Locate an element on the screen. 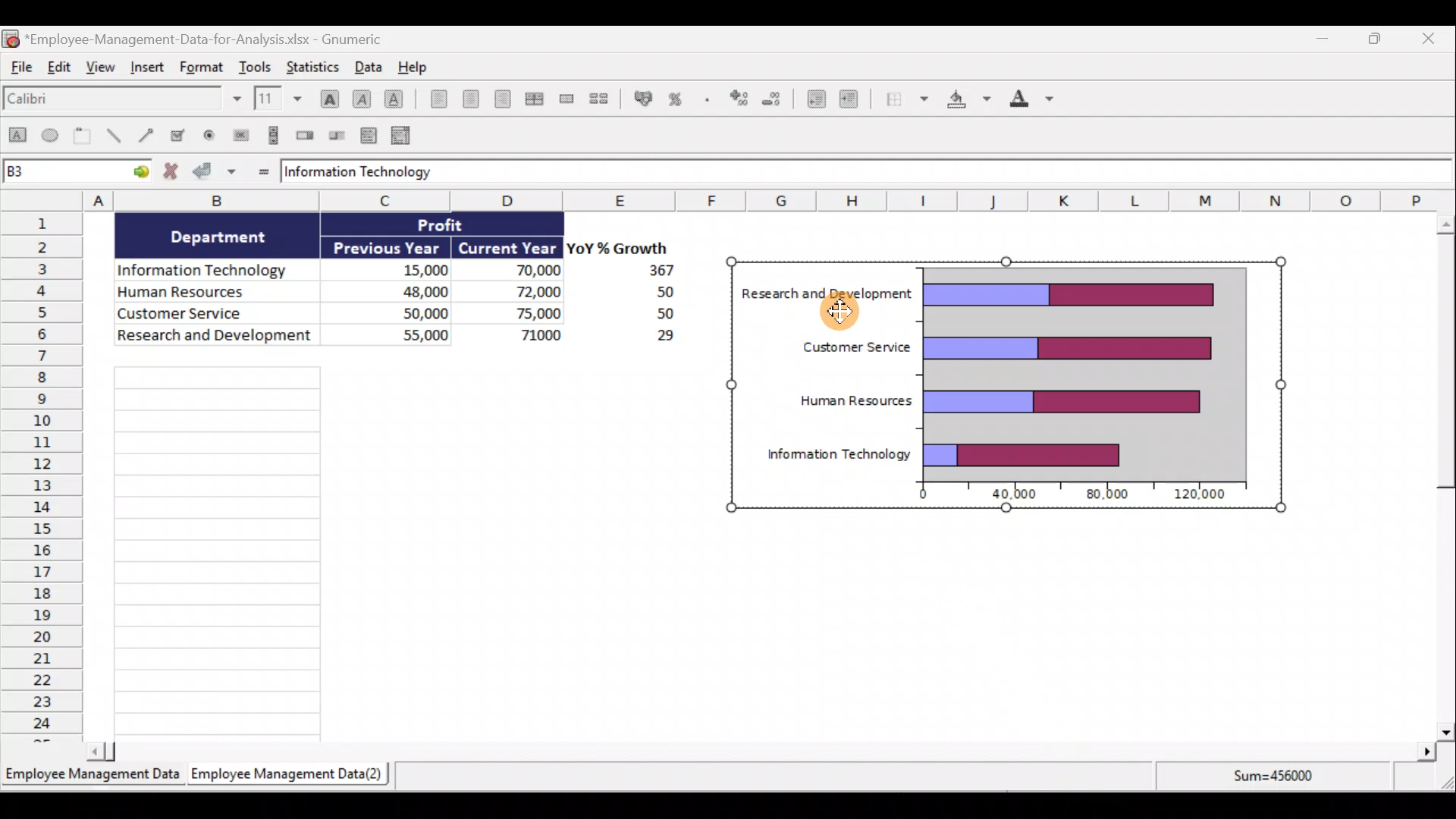  50,000 is located at coordinates (409, 312).